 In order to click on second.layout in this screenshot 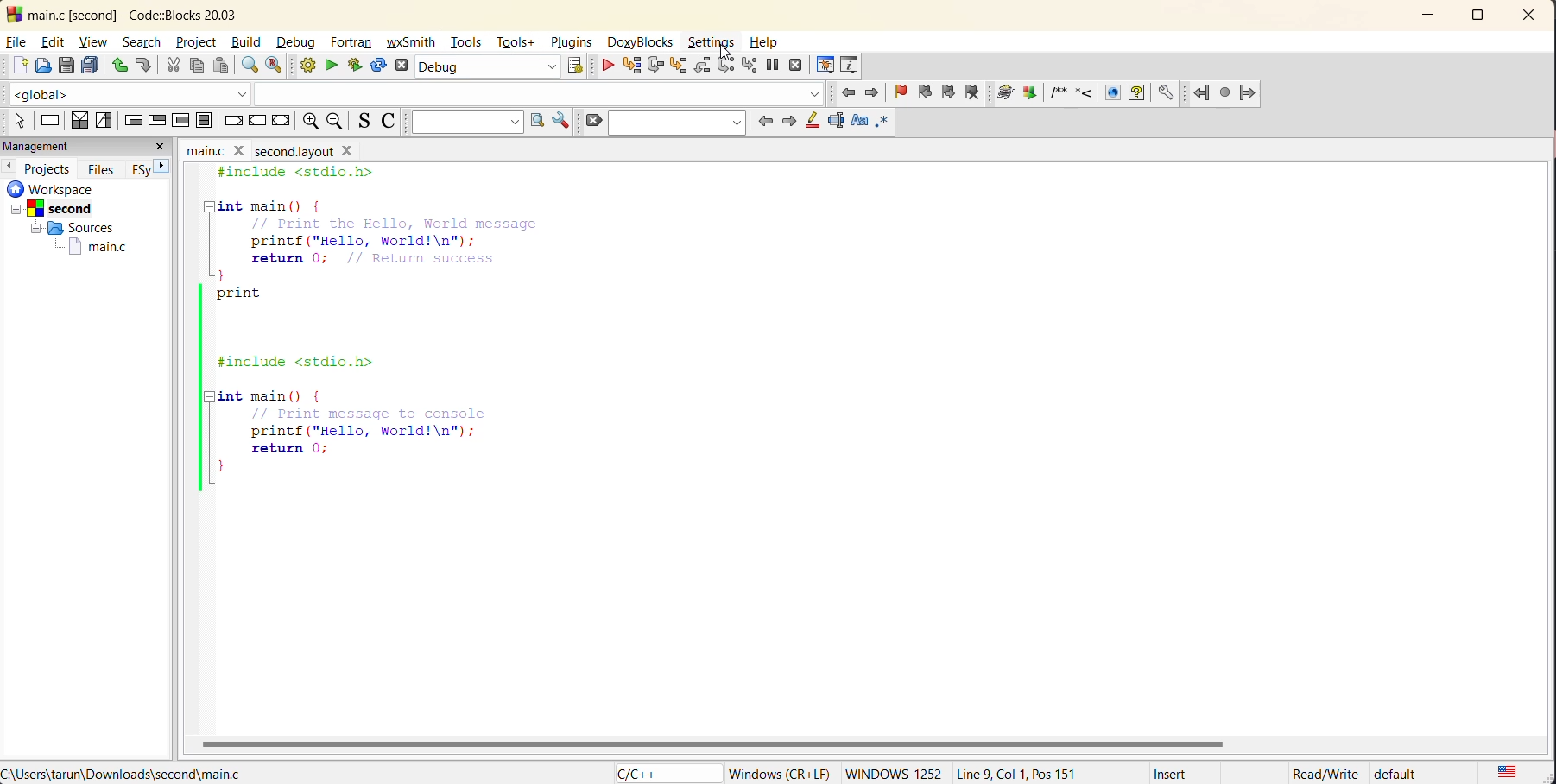, I will do `click(292, 151)`.